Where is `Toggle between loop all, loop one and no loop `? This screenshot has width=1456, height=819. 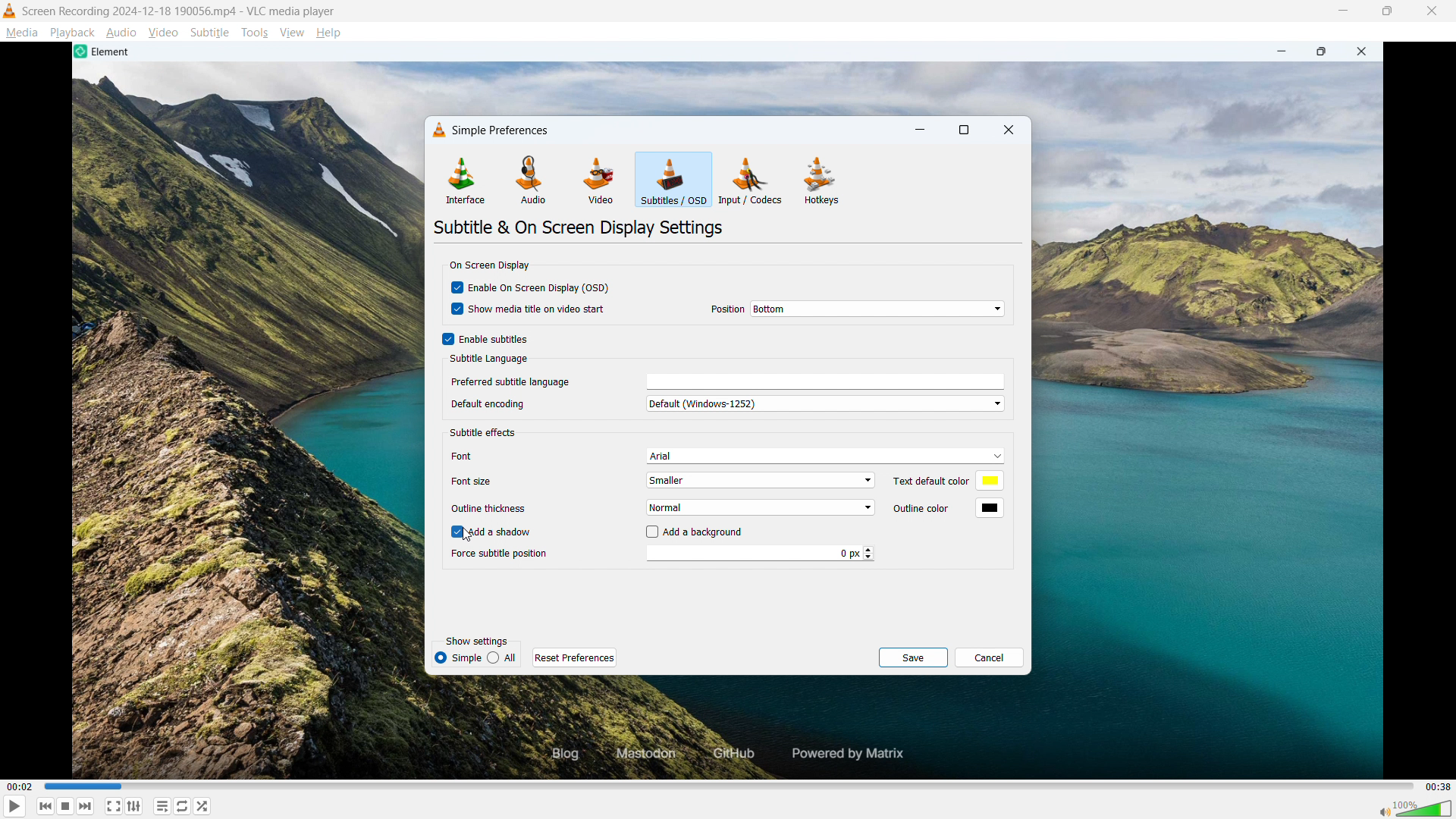
Toggle between loop all, loop one and no loop  is located at coordinates (184, 806).